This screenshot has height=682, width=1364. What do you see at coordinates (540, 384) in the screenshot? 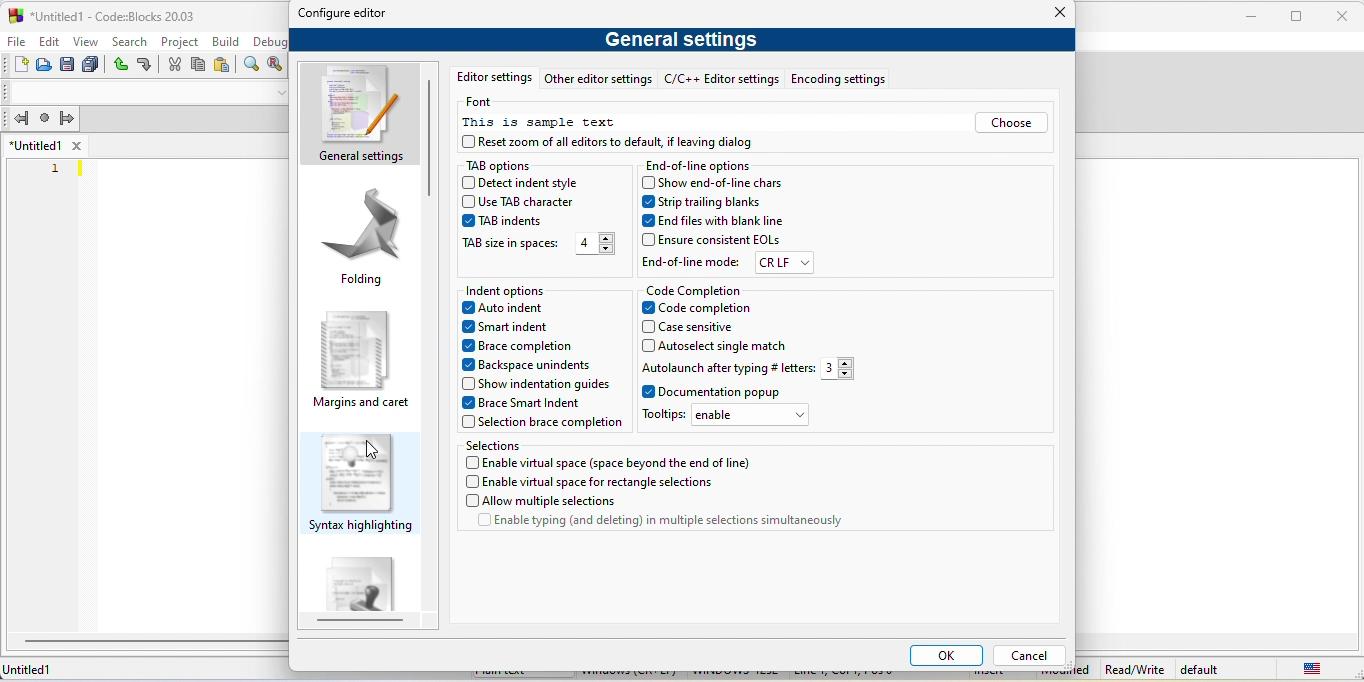
I see `show indentation guides` at bounding box center [540, 384].